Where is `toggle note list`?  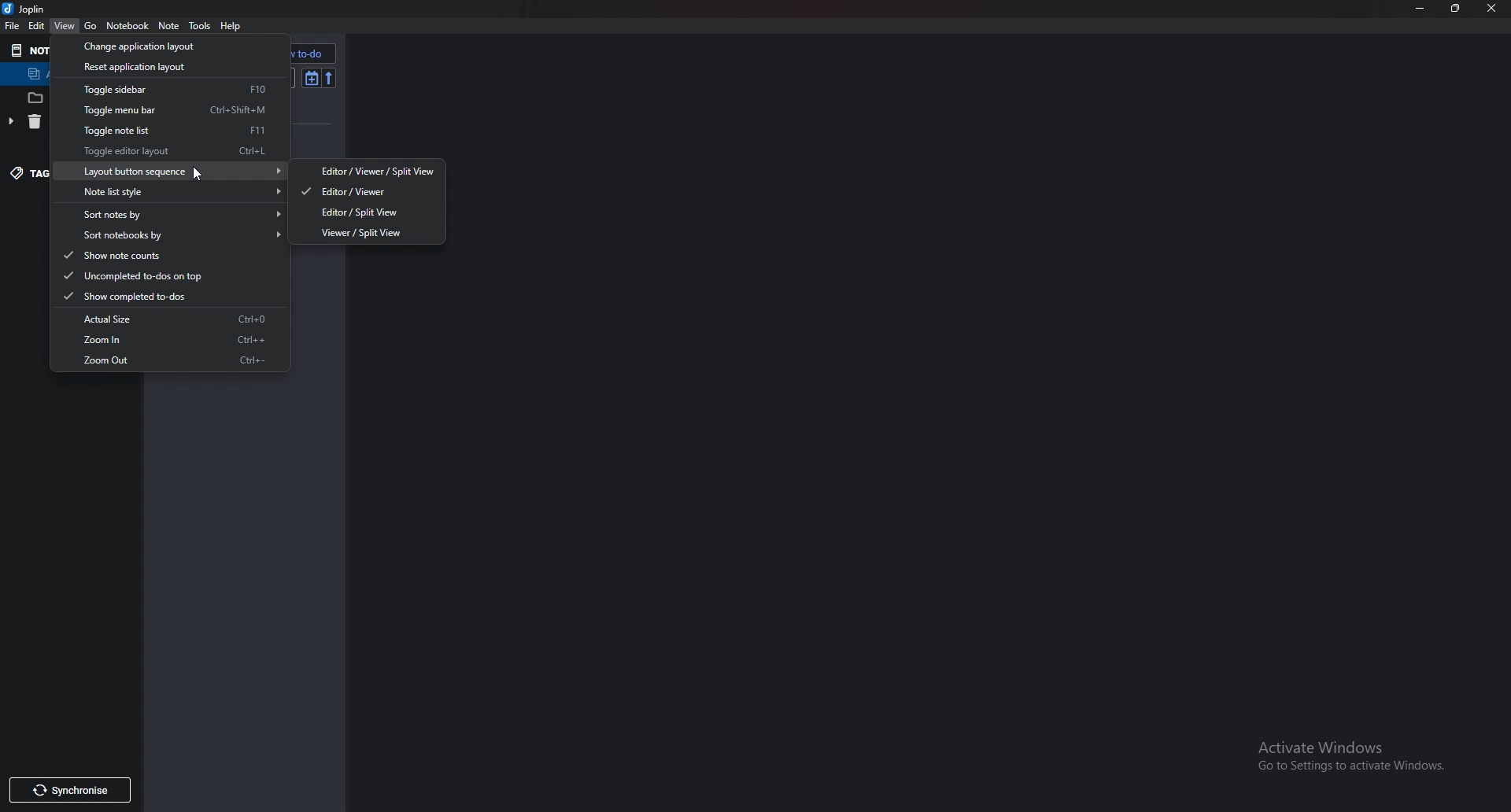 toggle note list is located at coordinates (171, 130).